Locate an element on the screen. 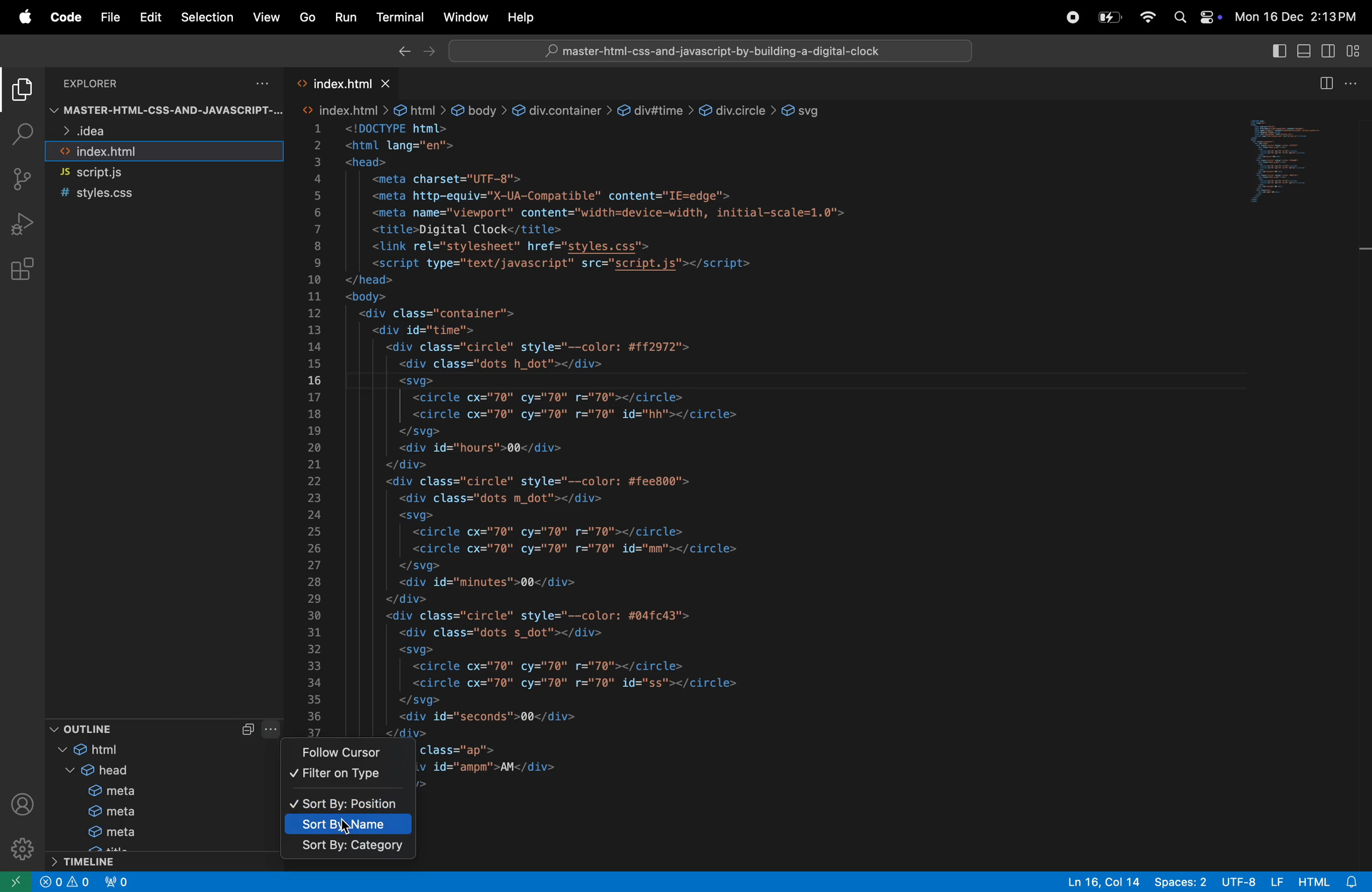 This screenshot has width=1372, height=892. outline is located at coordinates (137, 729).